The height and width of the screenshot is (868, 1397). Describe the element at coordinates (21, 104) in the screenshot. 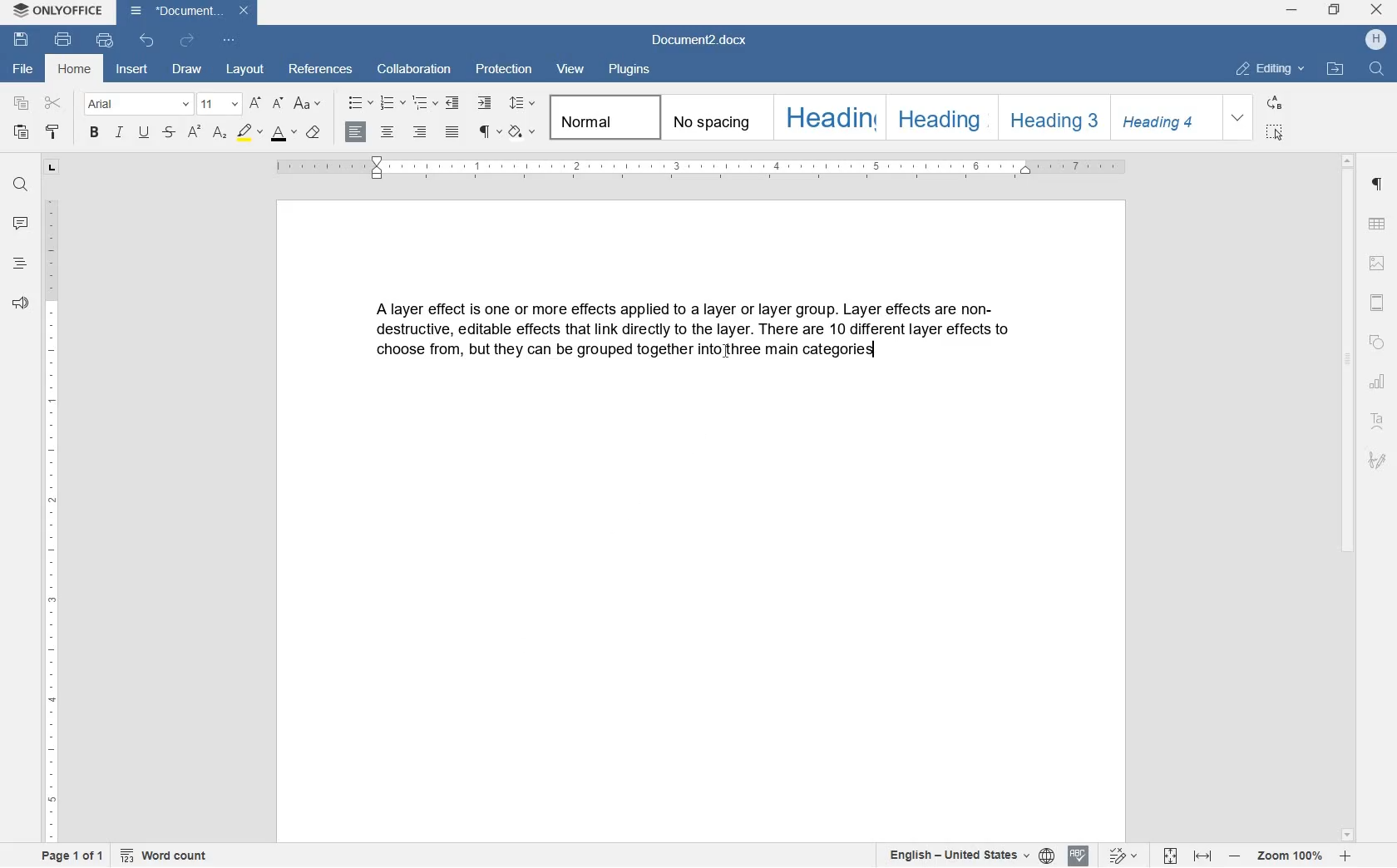

I see `copy` at that location.